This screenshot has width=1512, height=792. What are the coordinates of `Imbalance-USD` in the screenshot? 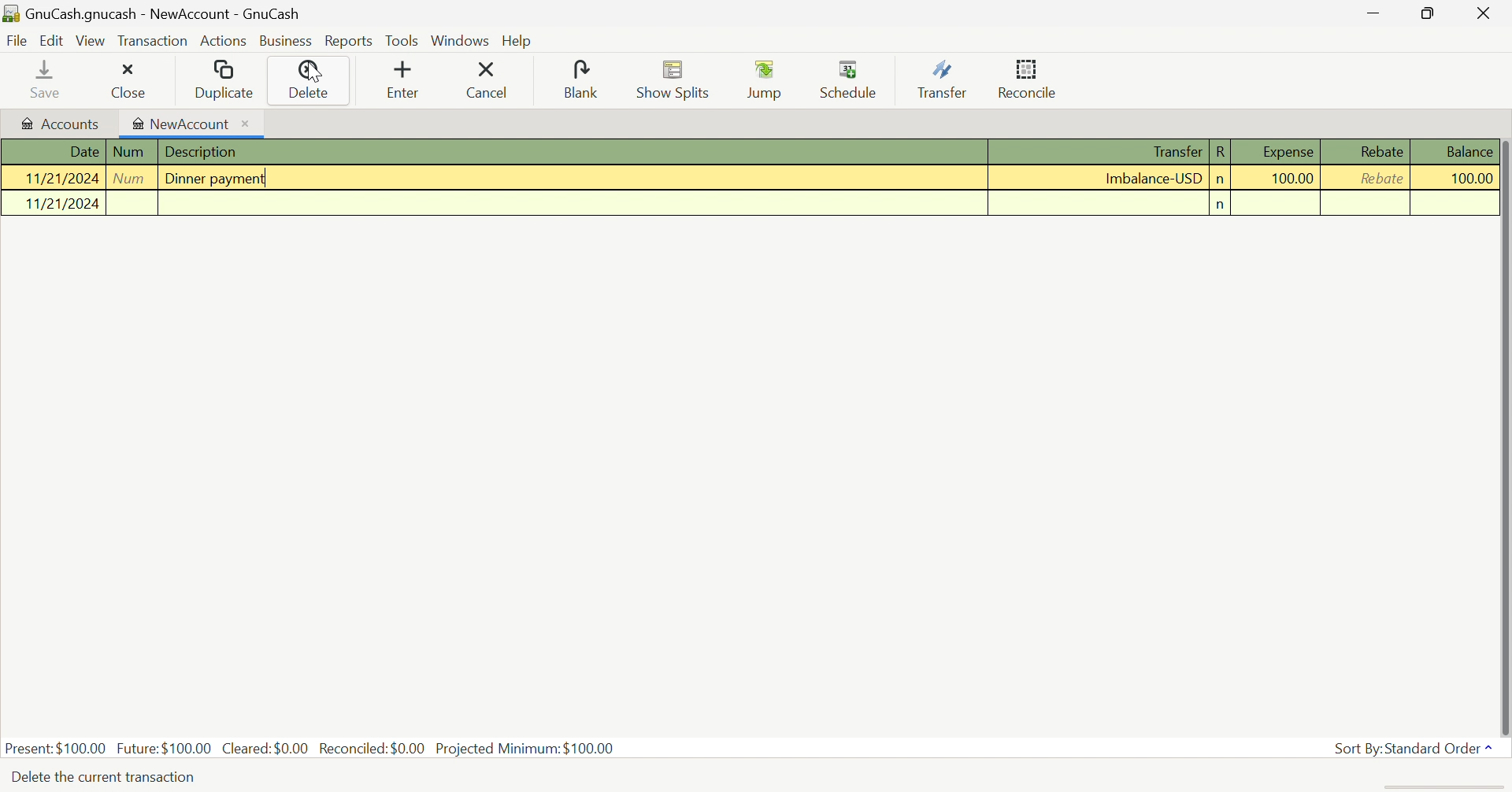 It's located at (1154, 177).